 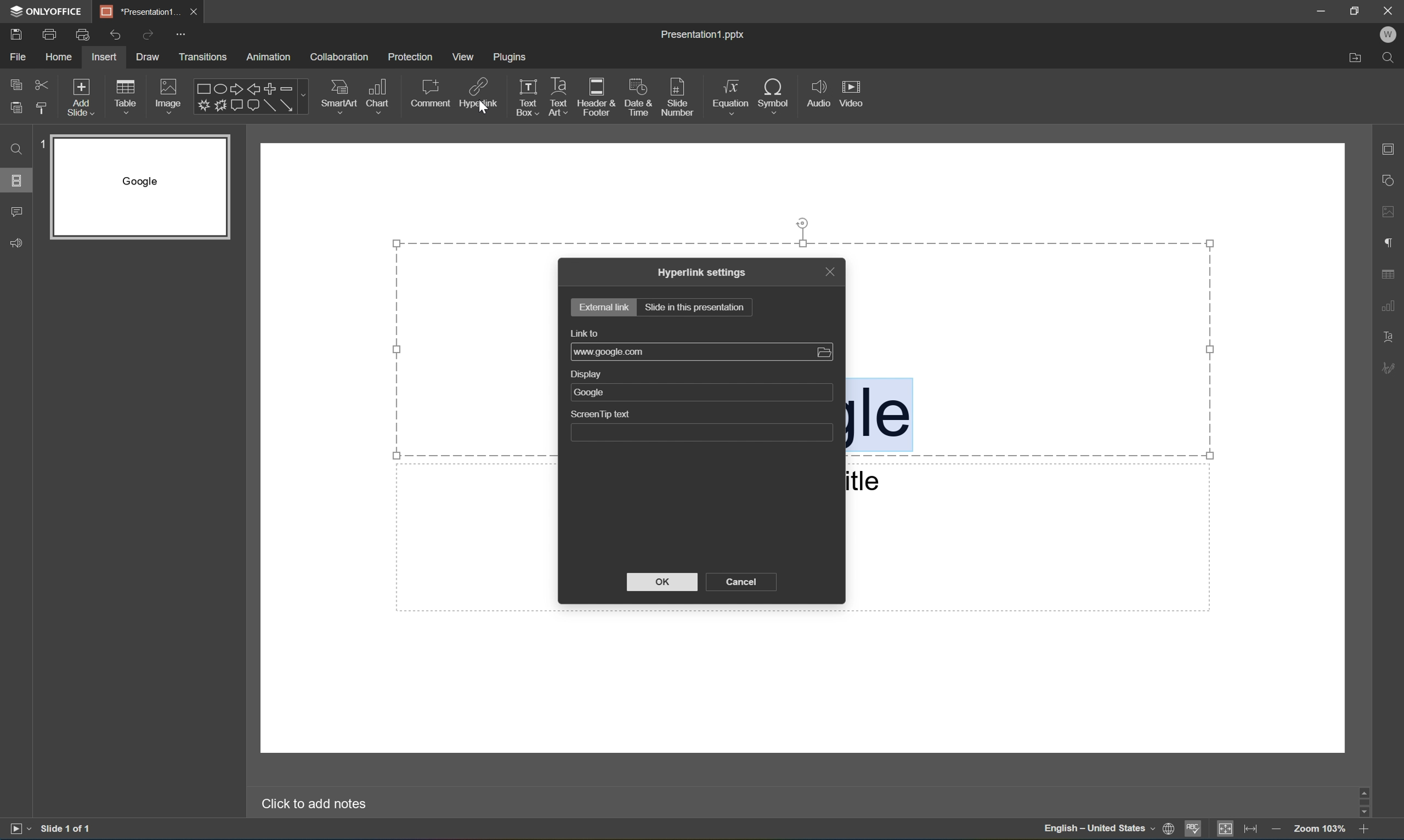 I want to click on Find, so click(x=1390, y=57).